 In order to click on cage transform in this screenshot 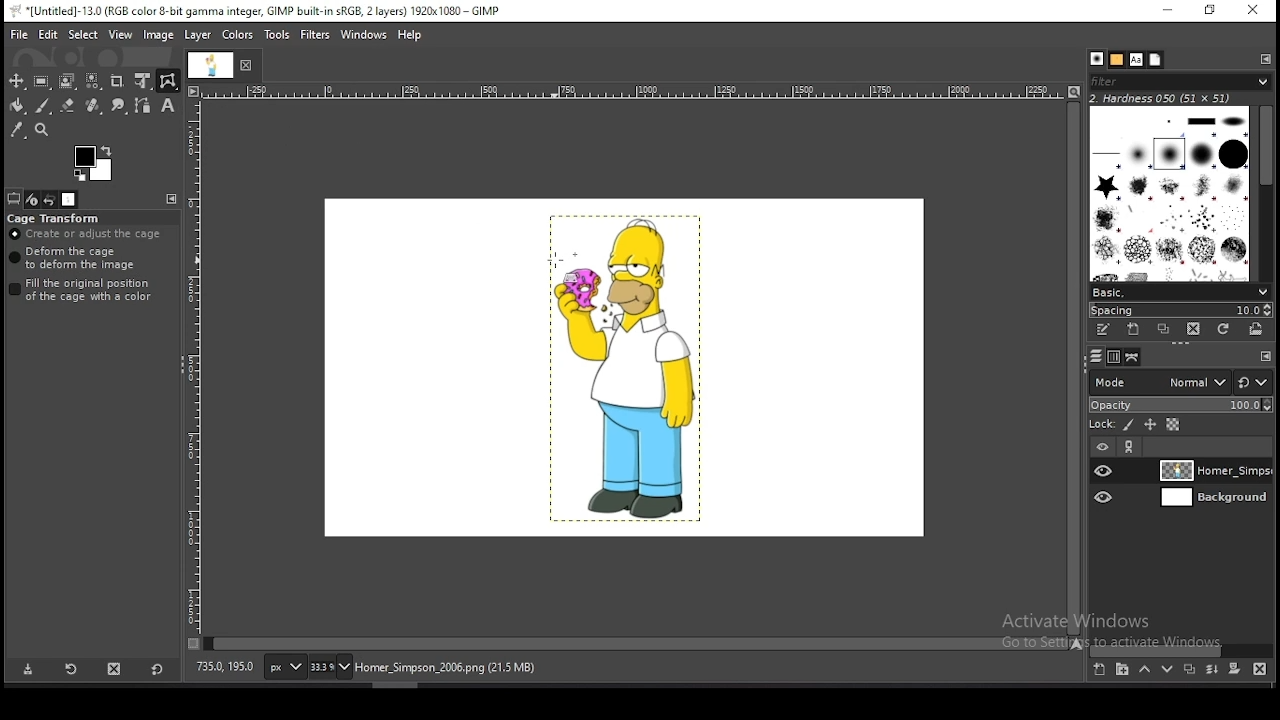, I will do `click(55, 218)`.